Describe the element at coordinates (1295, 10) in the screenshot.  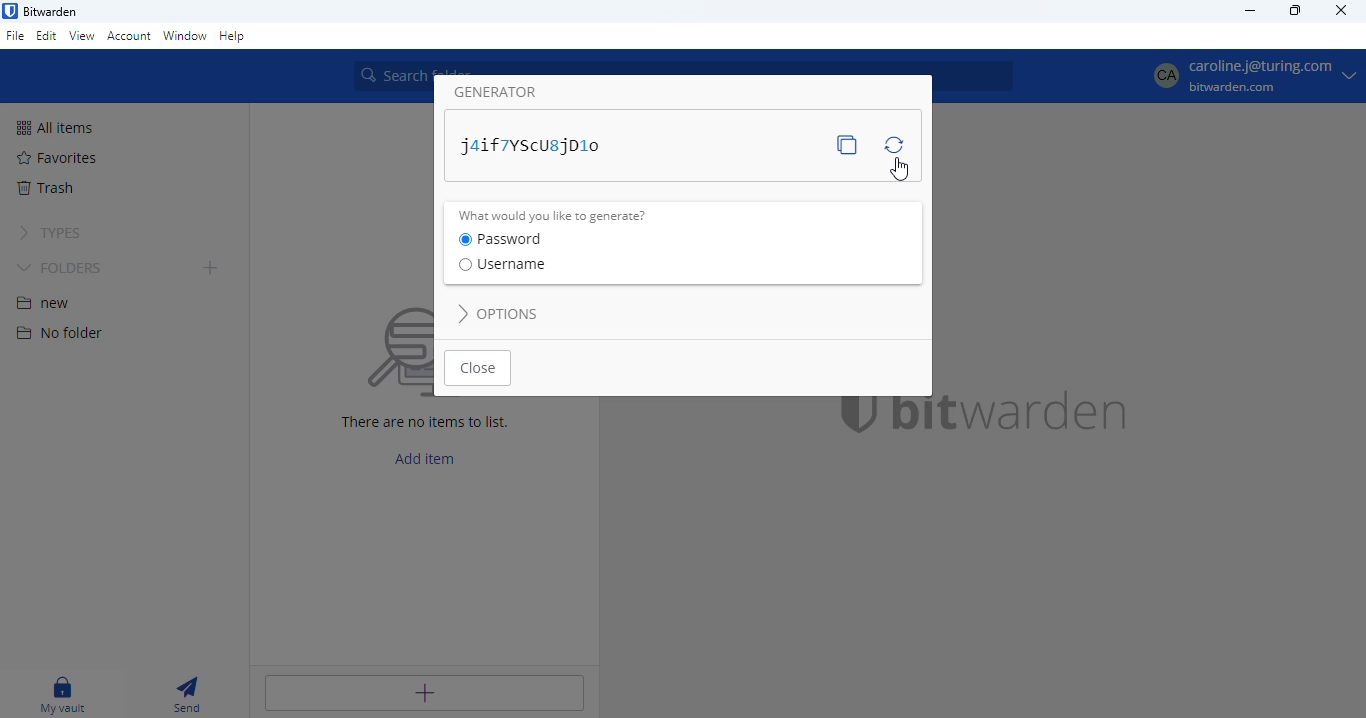
I see `maximize` at that location.